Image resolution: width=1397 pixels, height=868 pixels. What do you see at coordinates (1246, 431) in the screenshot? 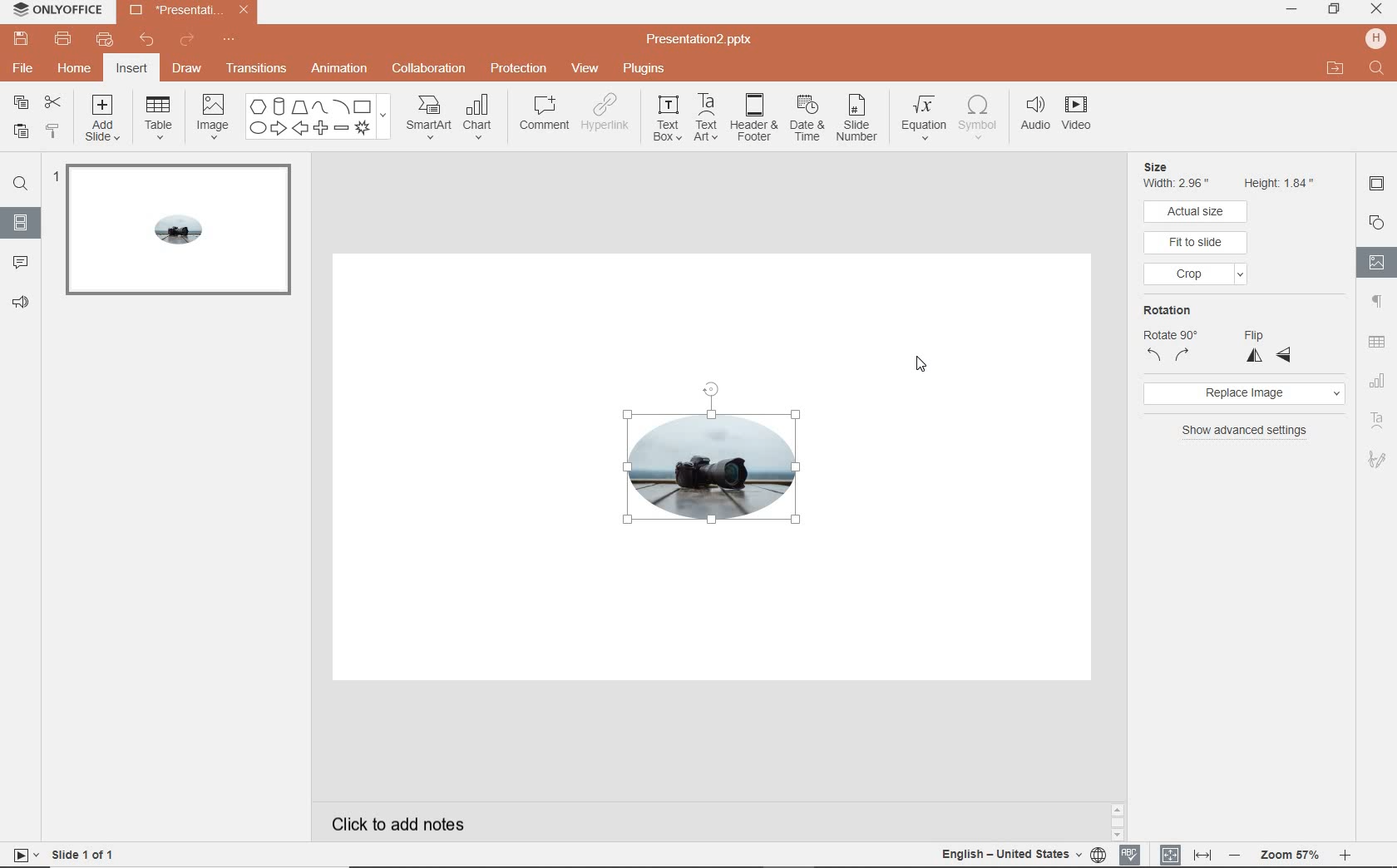
I see `show advanced settings` at bounding box center [1246, 431].